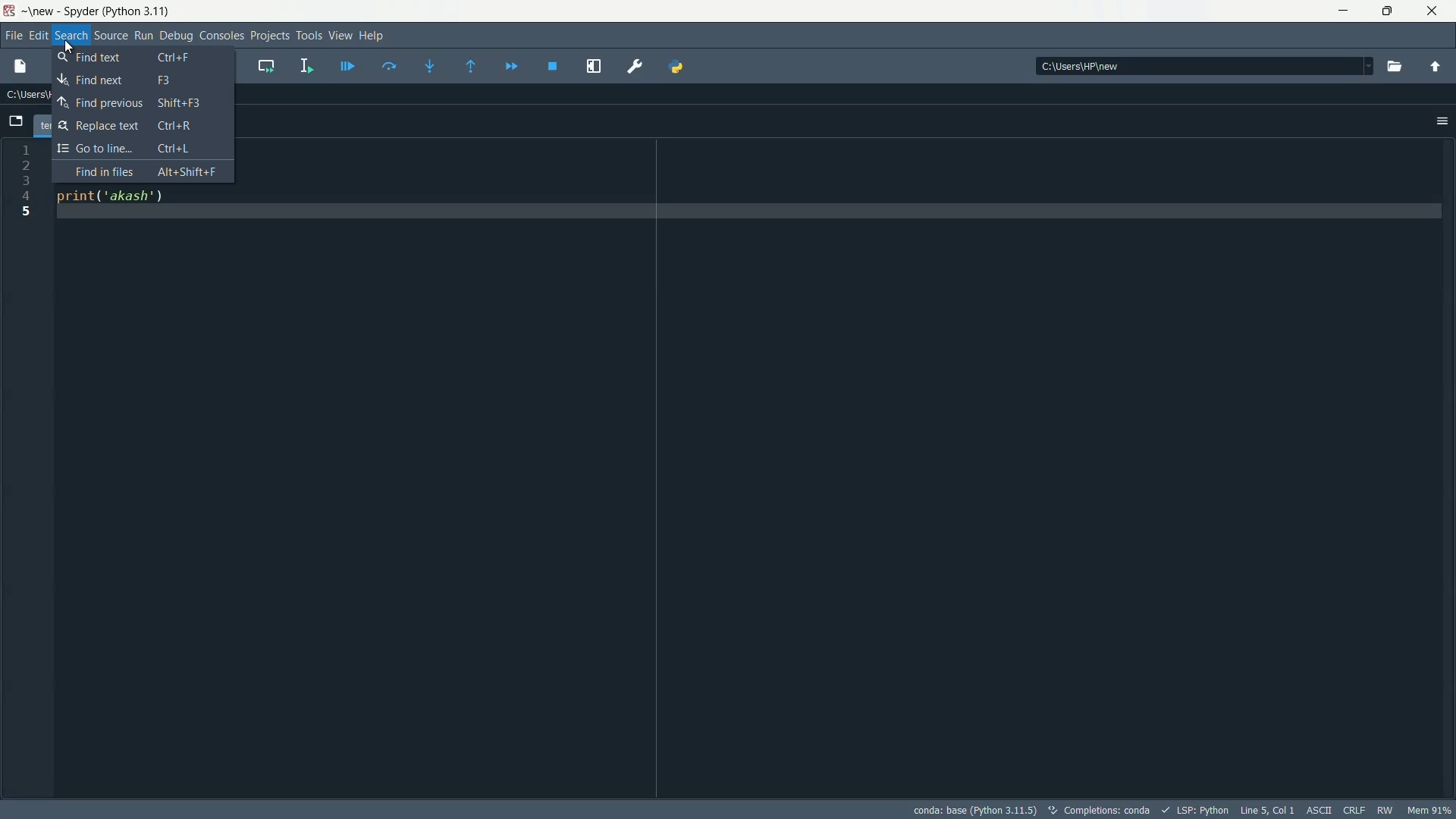 The image size is (1456, 819). Describe the element at coordinates (142, 171) in the screenshot. I see `Find in Files` at that location.